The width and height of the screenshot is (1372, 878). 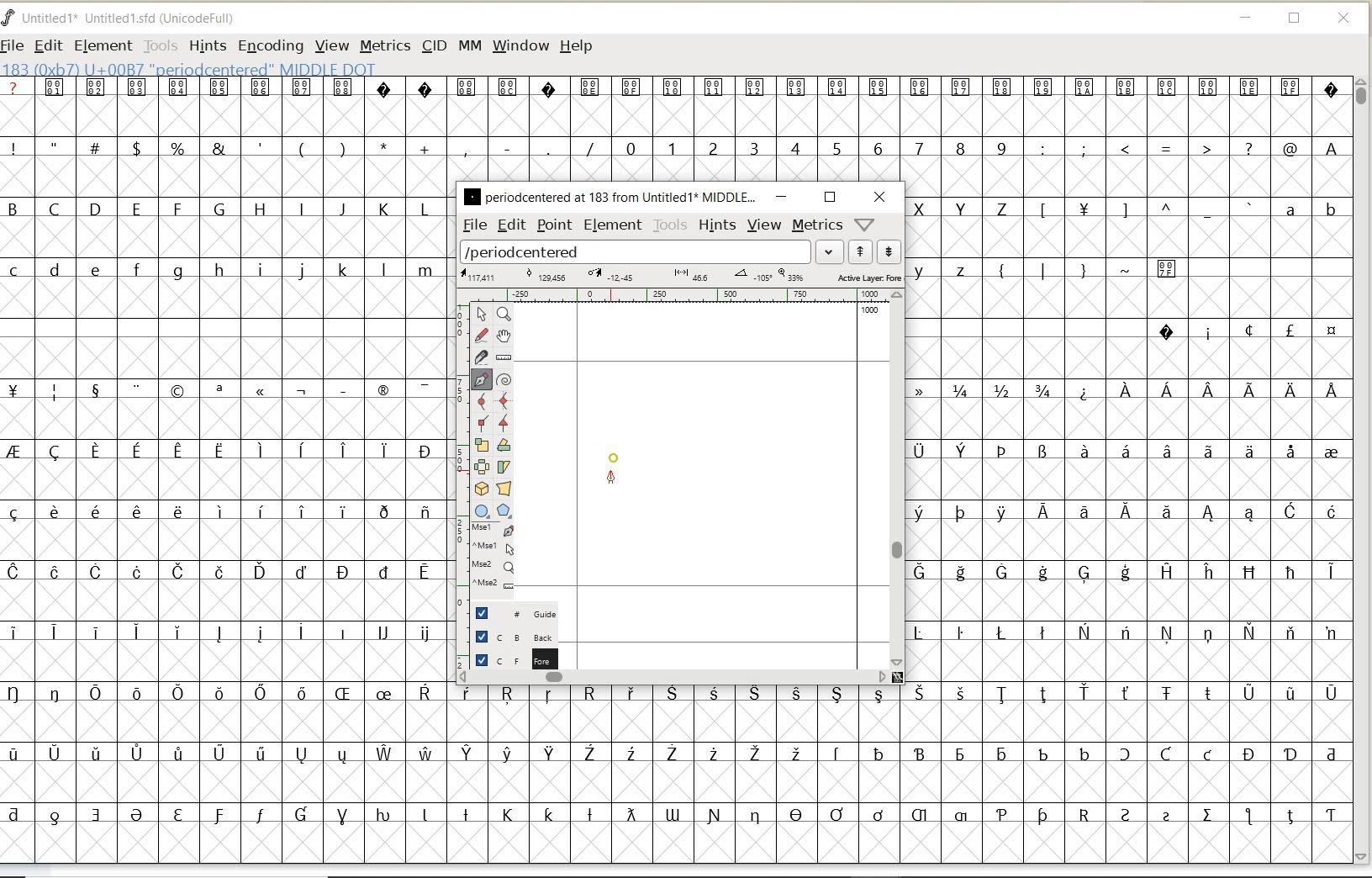 I want to click on Rotate the selection, so click(x=504, y=445).